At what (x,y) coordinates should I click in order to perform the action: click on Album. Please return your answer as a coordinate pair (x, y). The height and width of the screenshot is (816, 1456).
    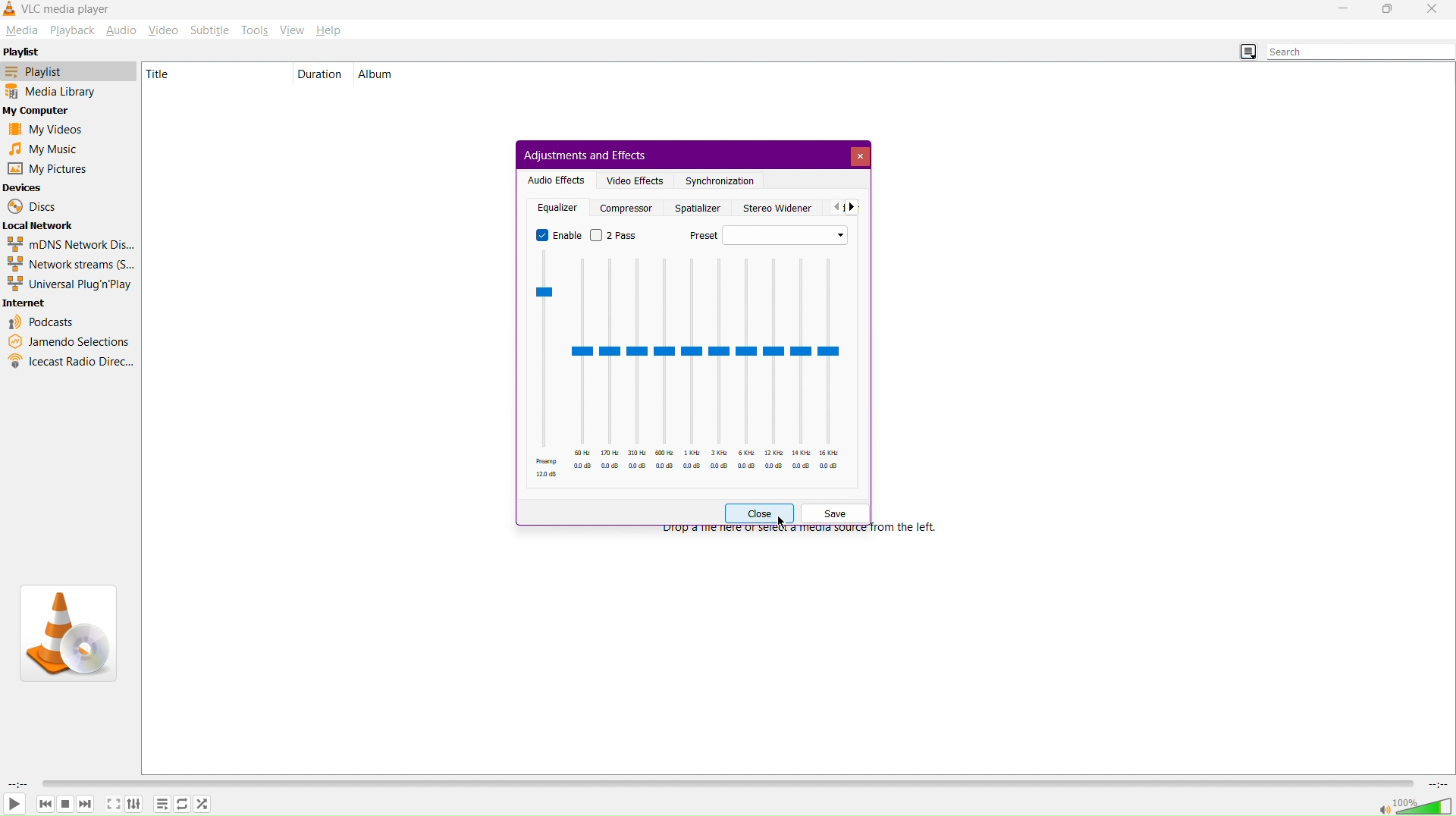
    Looking at the image, I should click on (381, 74).